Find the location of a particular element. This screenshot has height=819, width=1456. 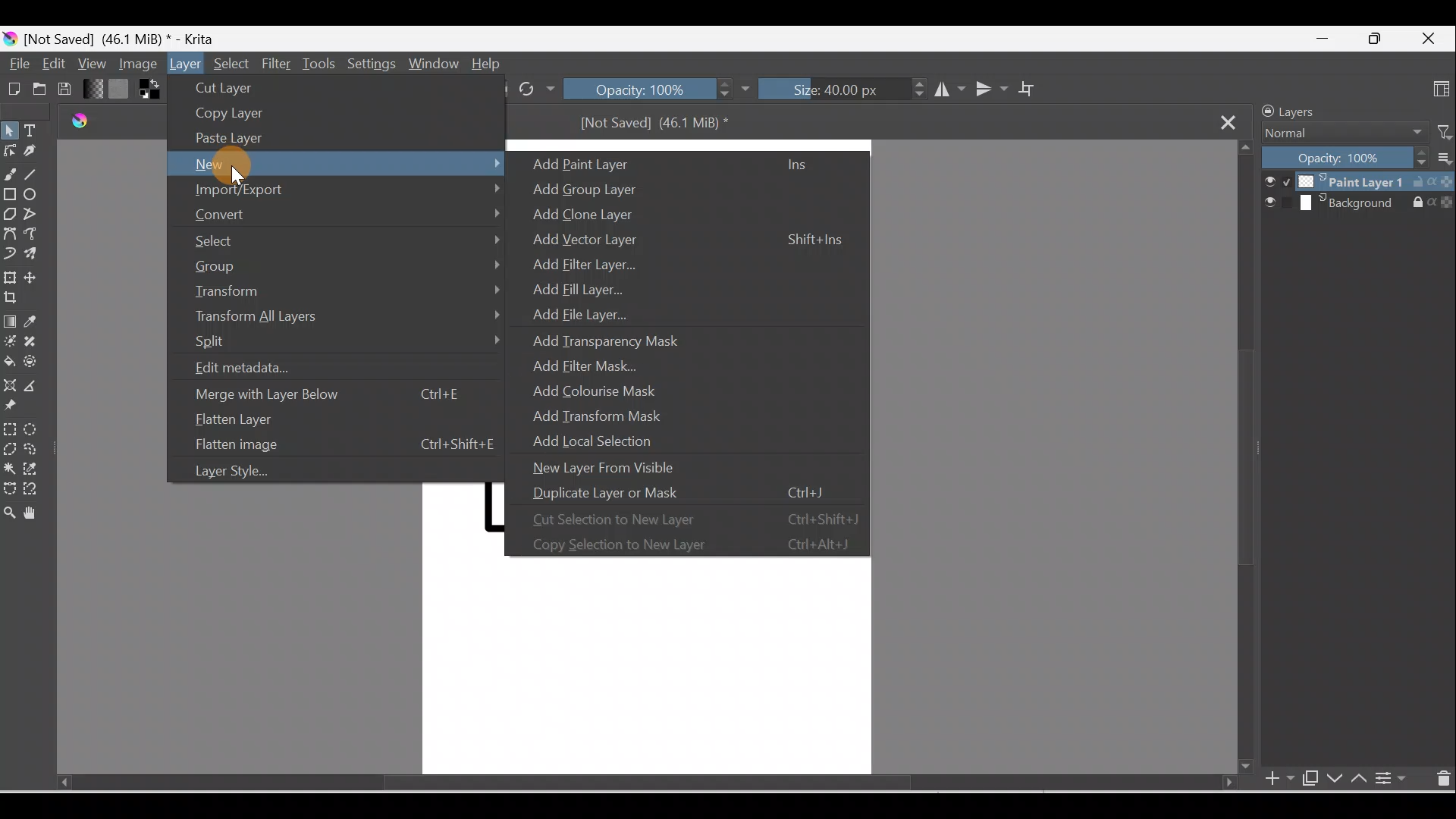

Settings is located at coordinates (369, 64).